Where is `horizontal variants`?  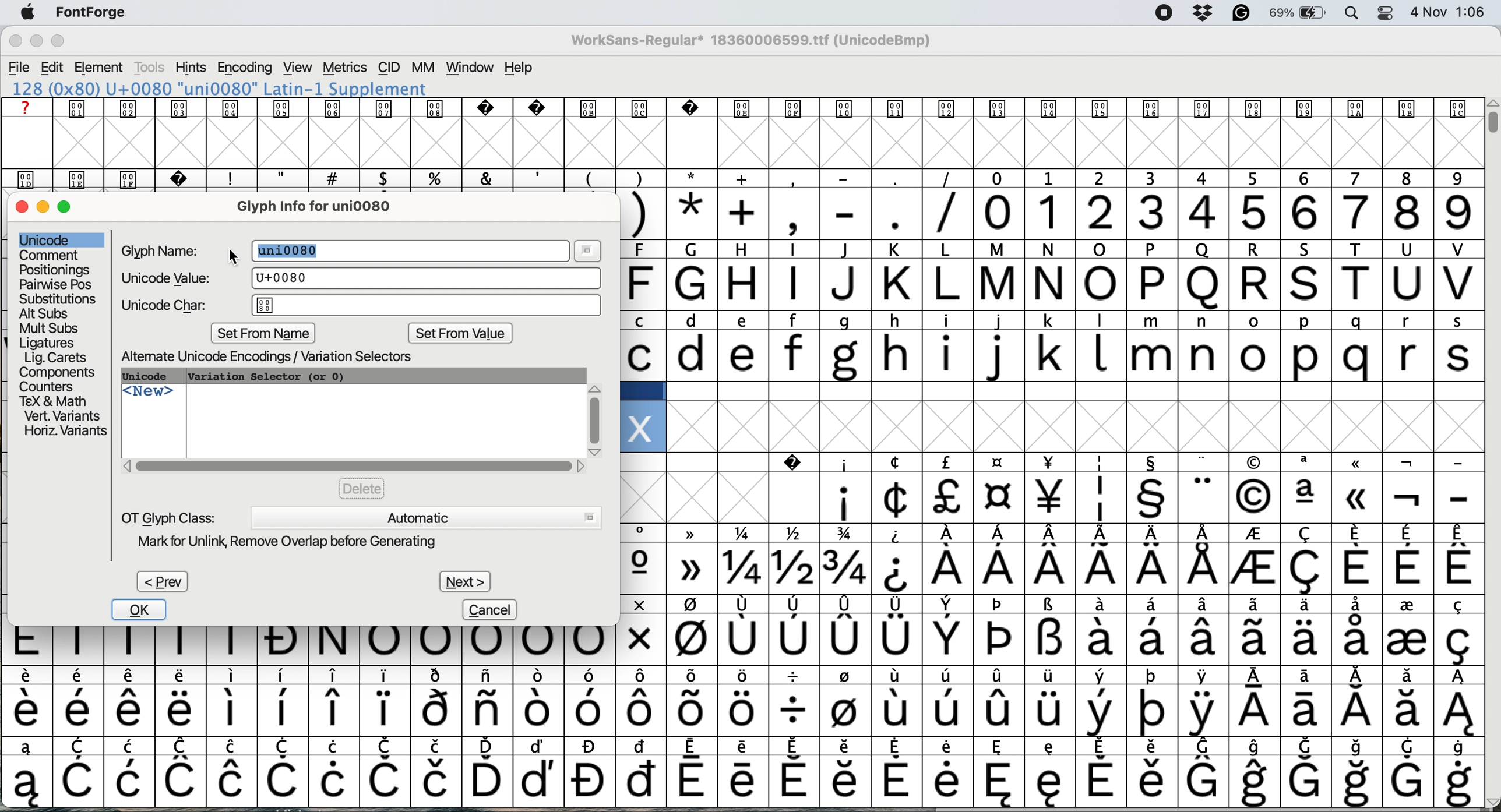 horizontal variants is located at coordinates (64, 432).